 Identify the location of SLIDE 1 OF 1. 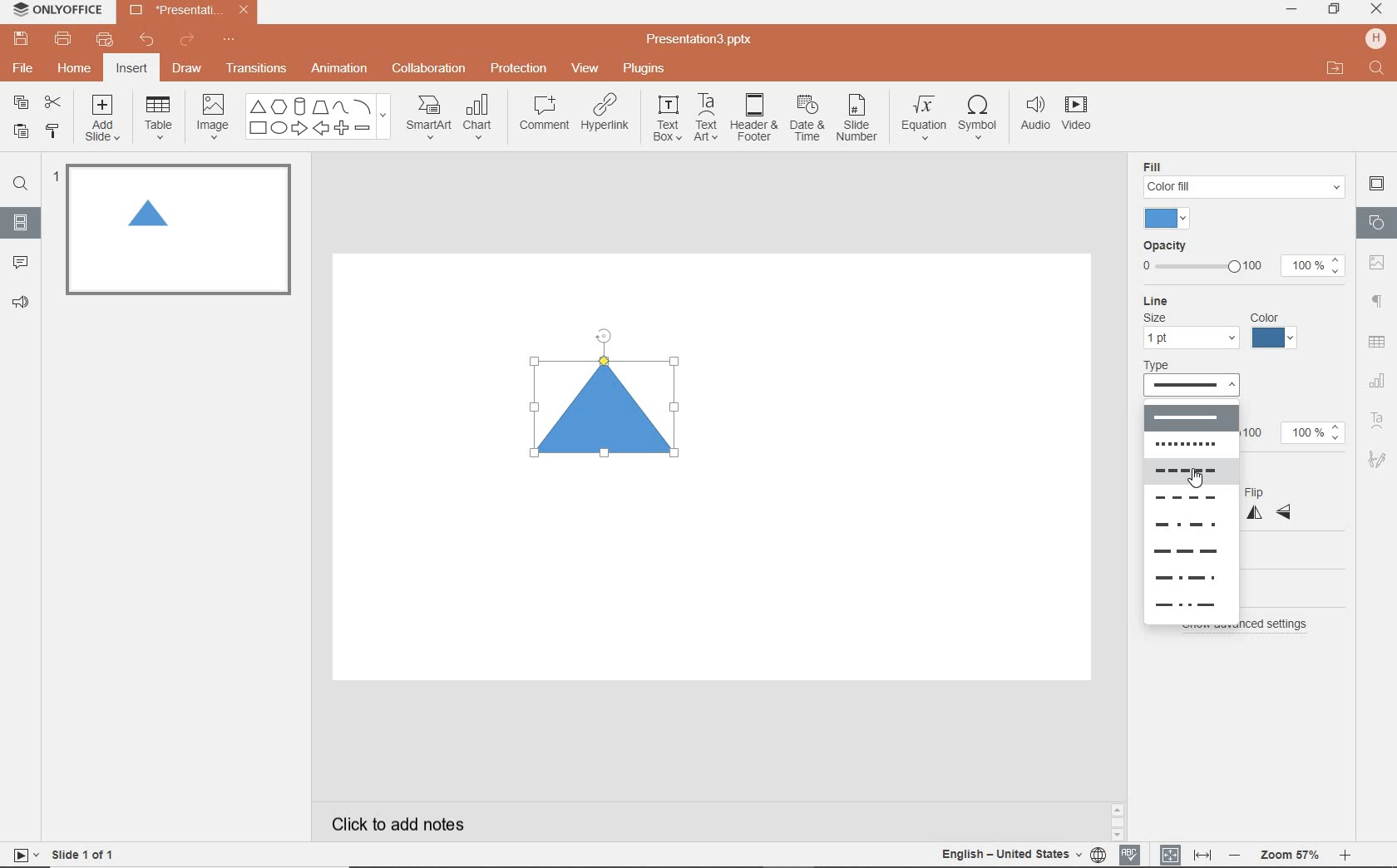
(86, 853).